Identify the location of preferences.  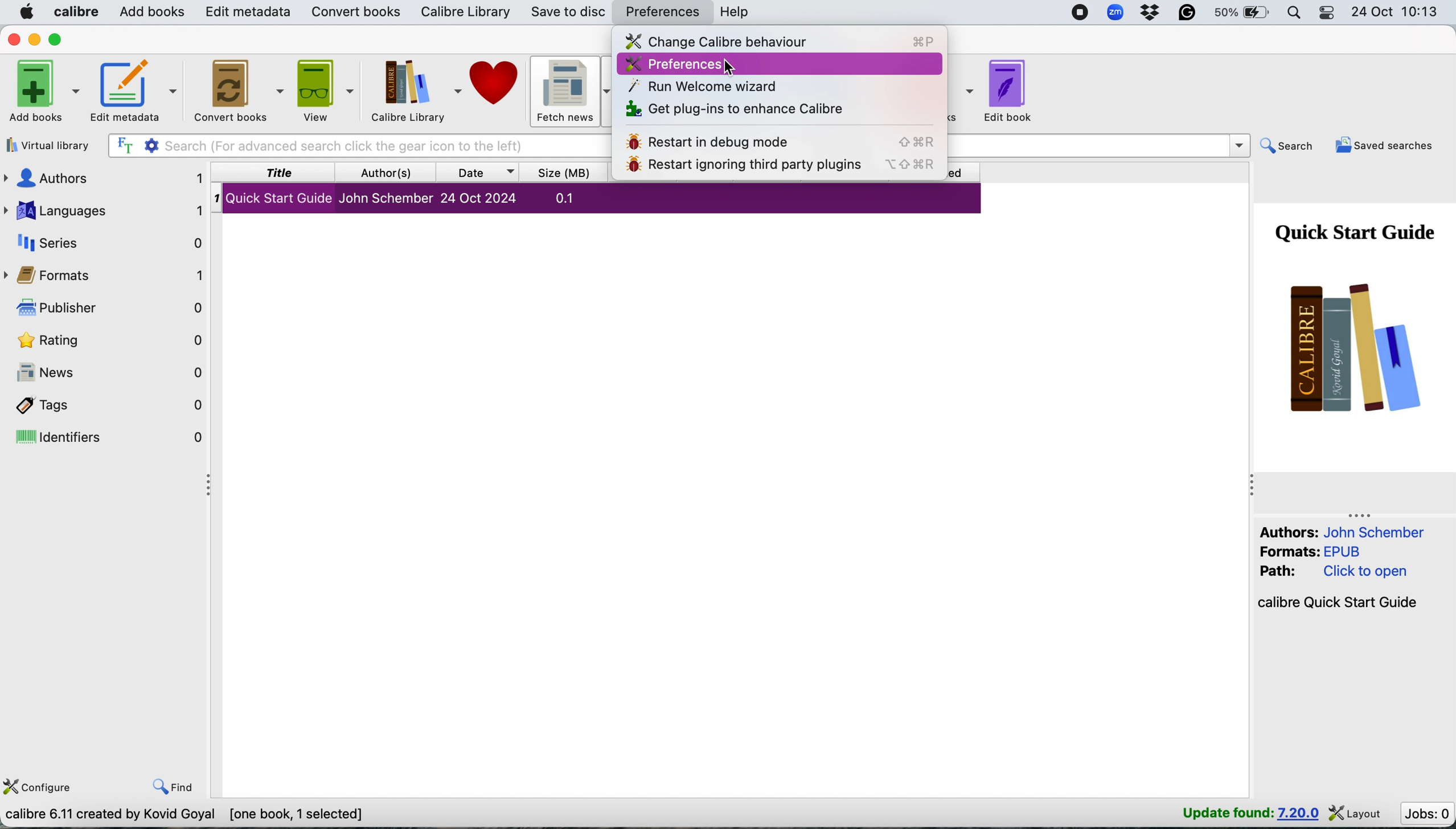
(664, 13).